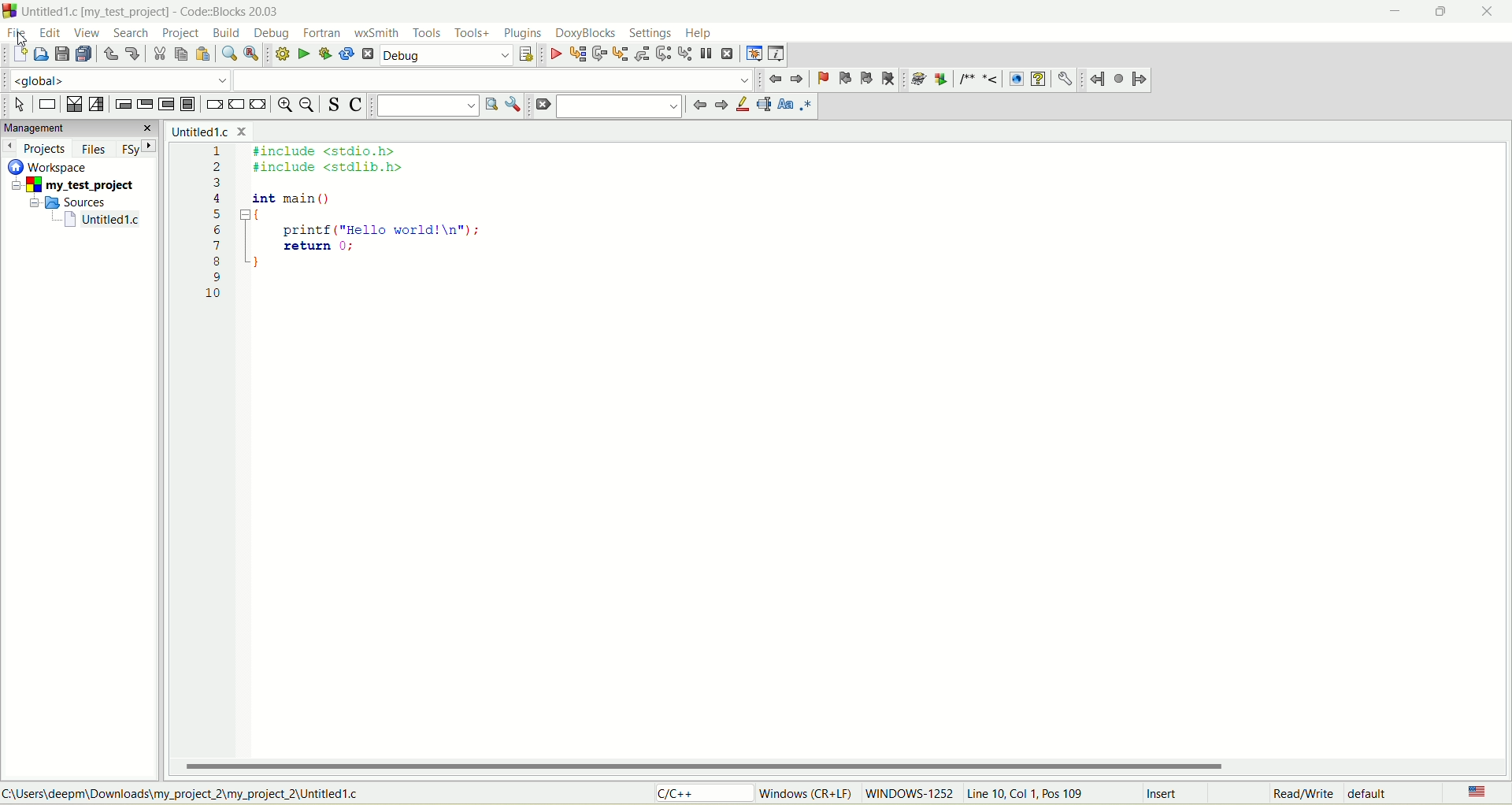  Describe the element at coordinates (46, 105) in the screenshot. I see `instruction` at that location.